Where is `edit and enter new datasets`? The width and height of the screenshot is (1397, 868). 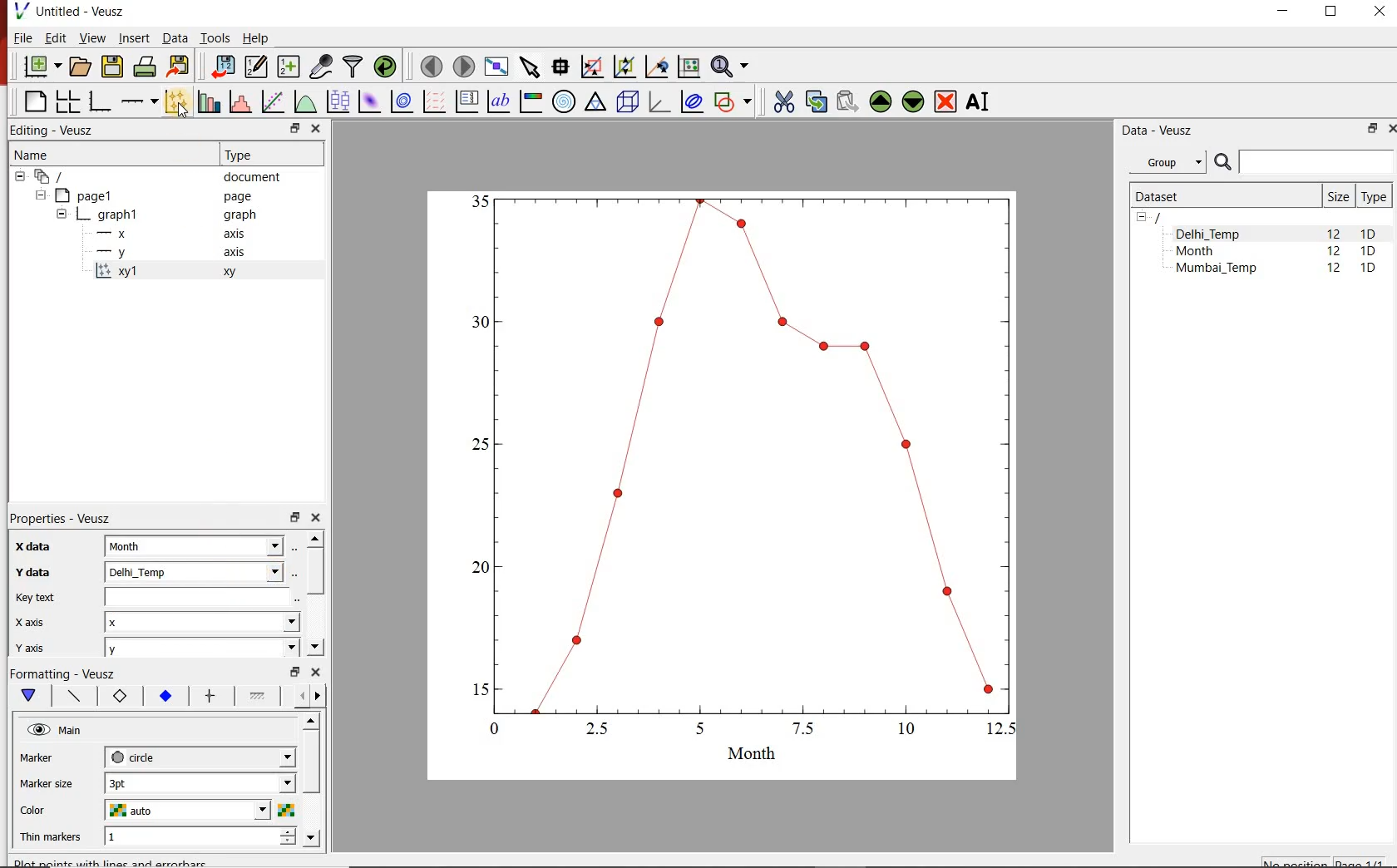
edit and enter new datasets is located at coordinates (255, 67).